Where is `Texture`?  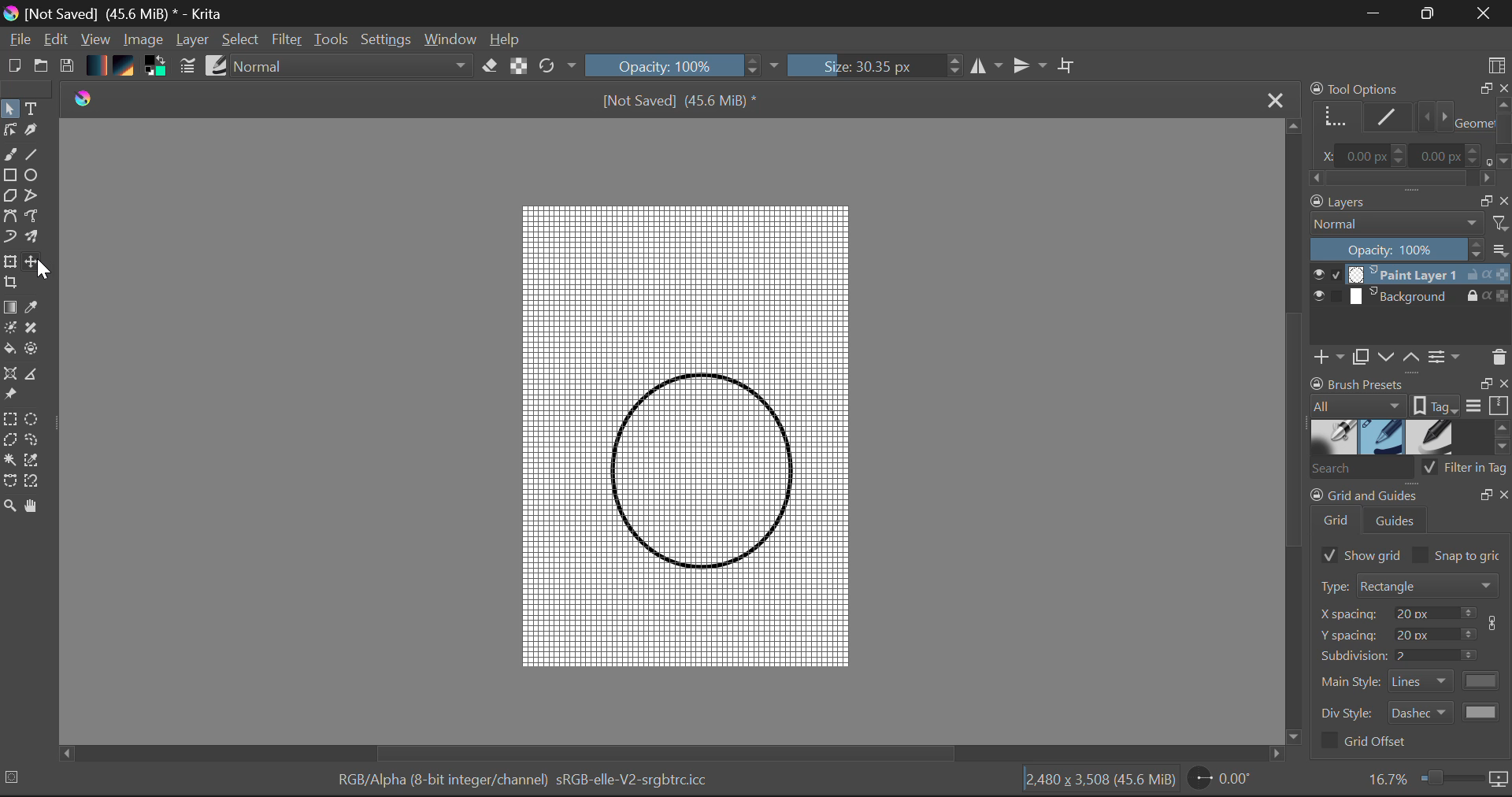 Texture is located at coordinates (128, 68).